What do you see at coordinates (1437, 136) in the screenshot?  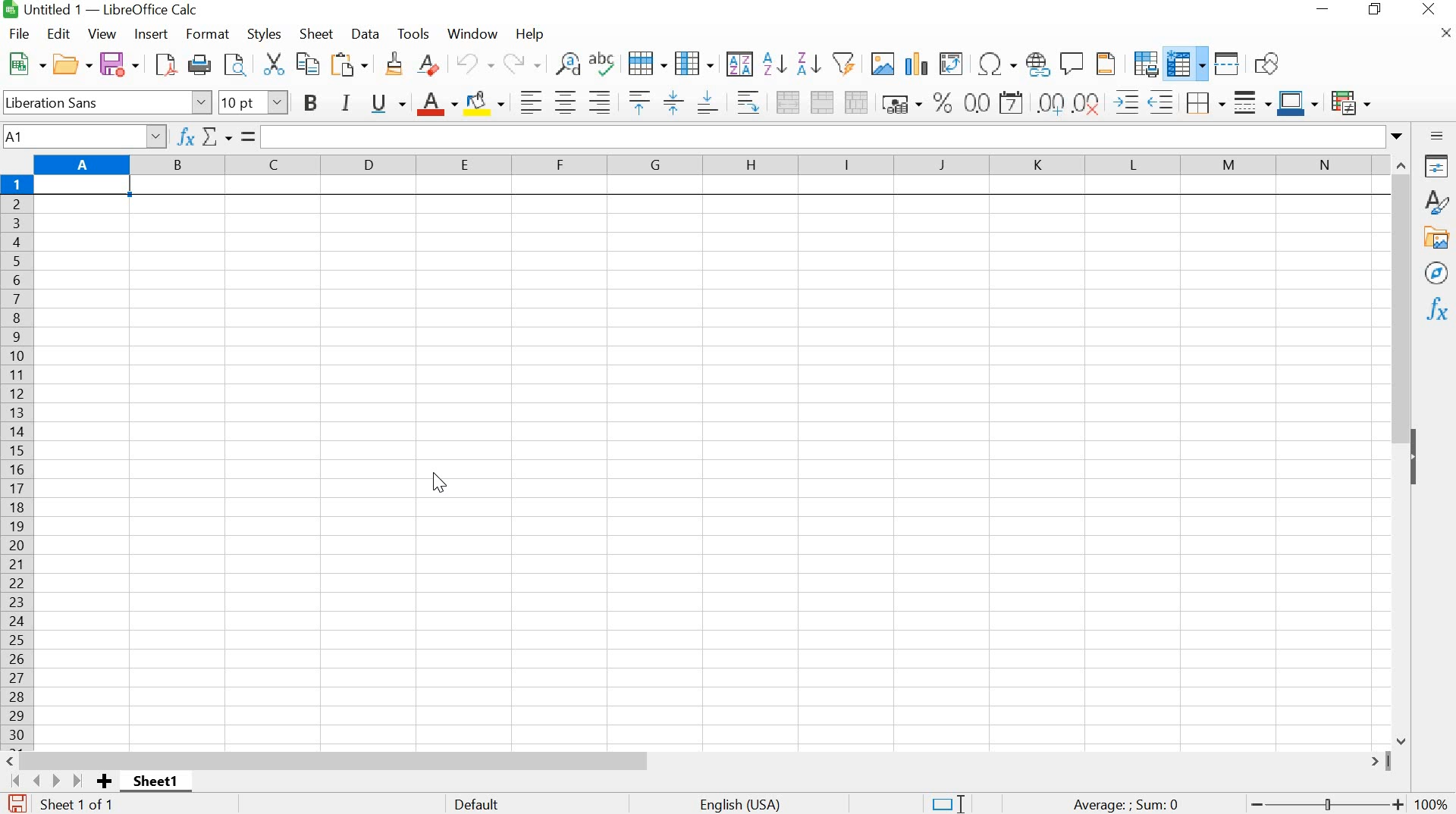 I see `SIDEBAR SETTINGS` at bounding box center [1437, 136].